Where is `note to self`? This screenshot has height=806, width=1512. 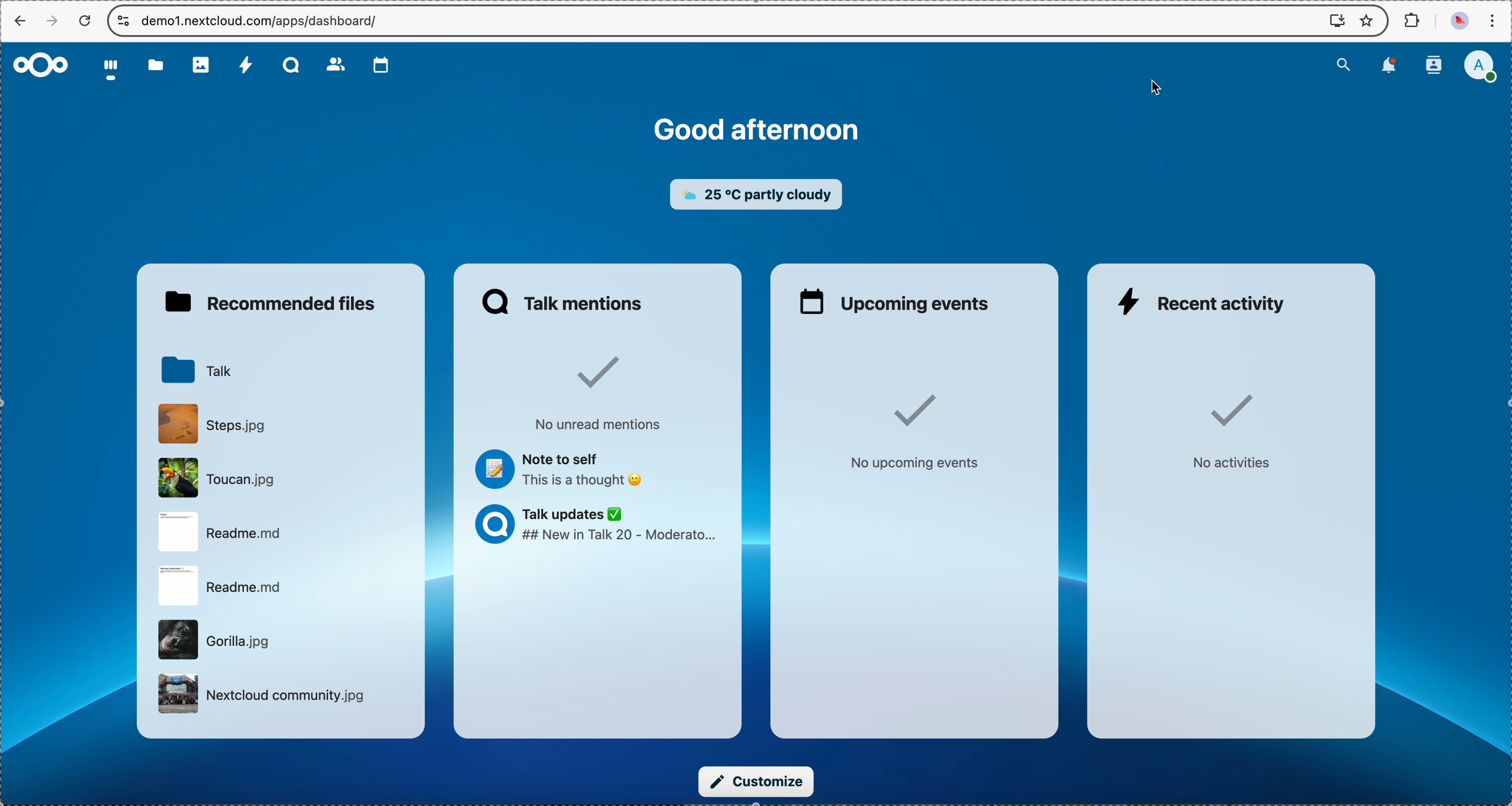
note to self is located at coordinates (566, 469).